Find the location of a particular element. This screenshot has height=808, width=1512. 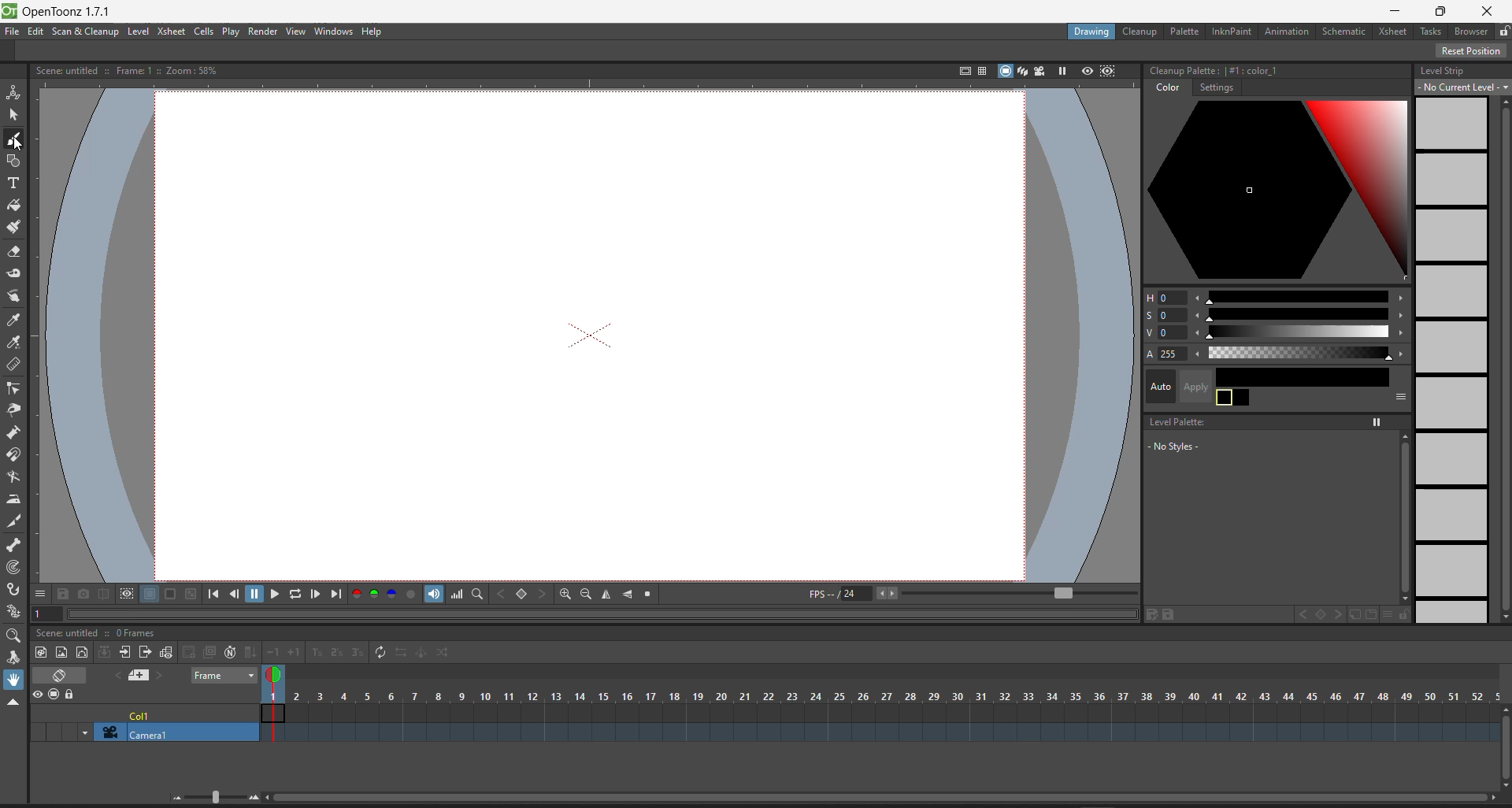

set key is located at coordinates (521, 594).